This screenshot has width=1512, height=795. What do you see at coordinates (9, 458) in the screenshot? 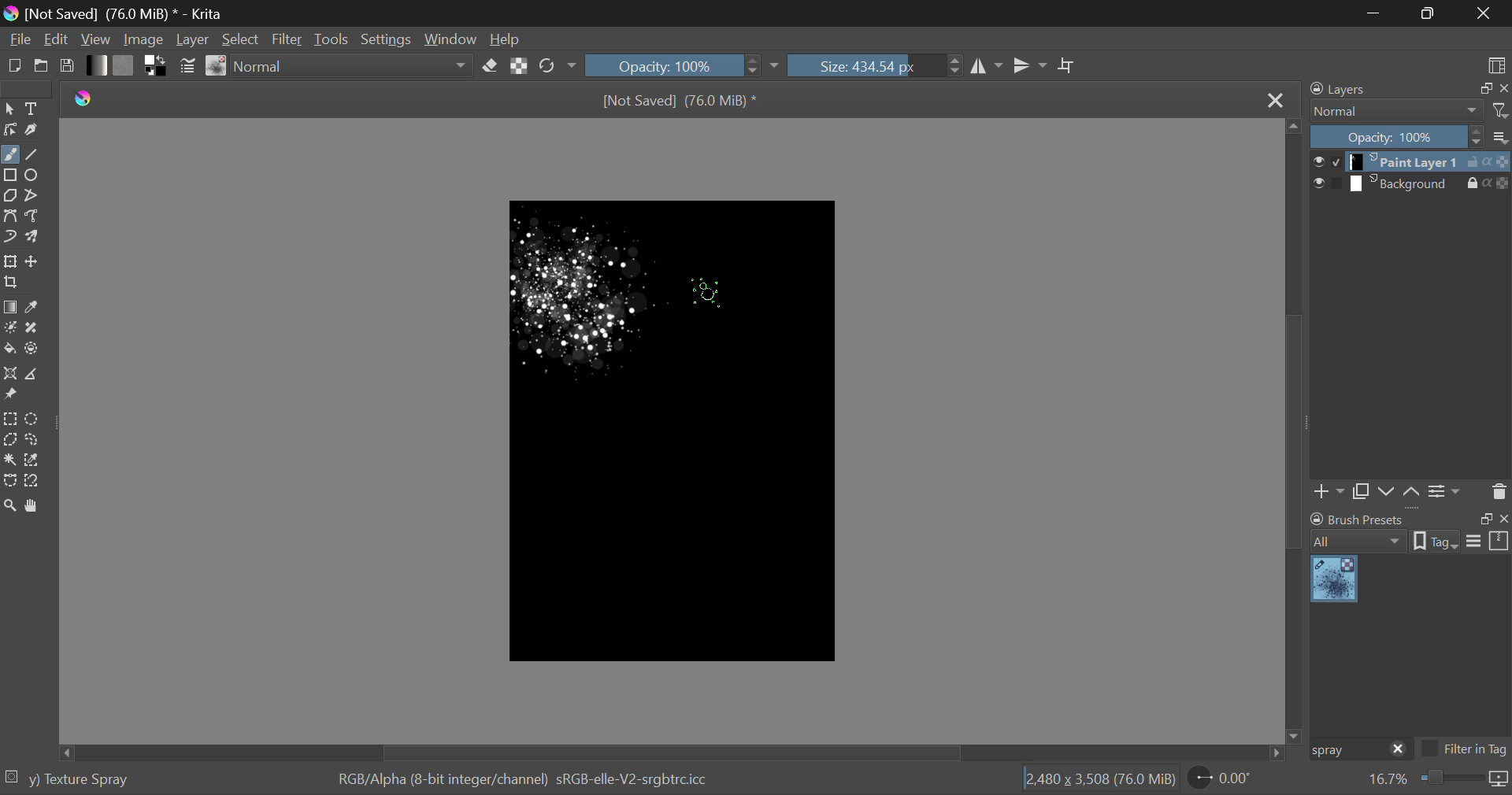
I see `Continuous Fill` at bounding box center [9, 458].